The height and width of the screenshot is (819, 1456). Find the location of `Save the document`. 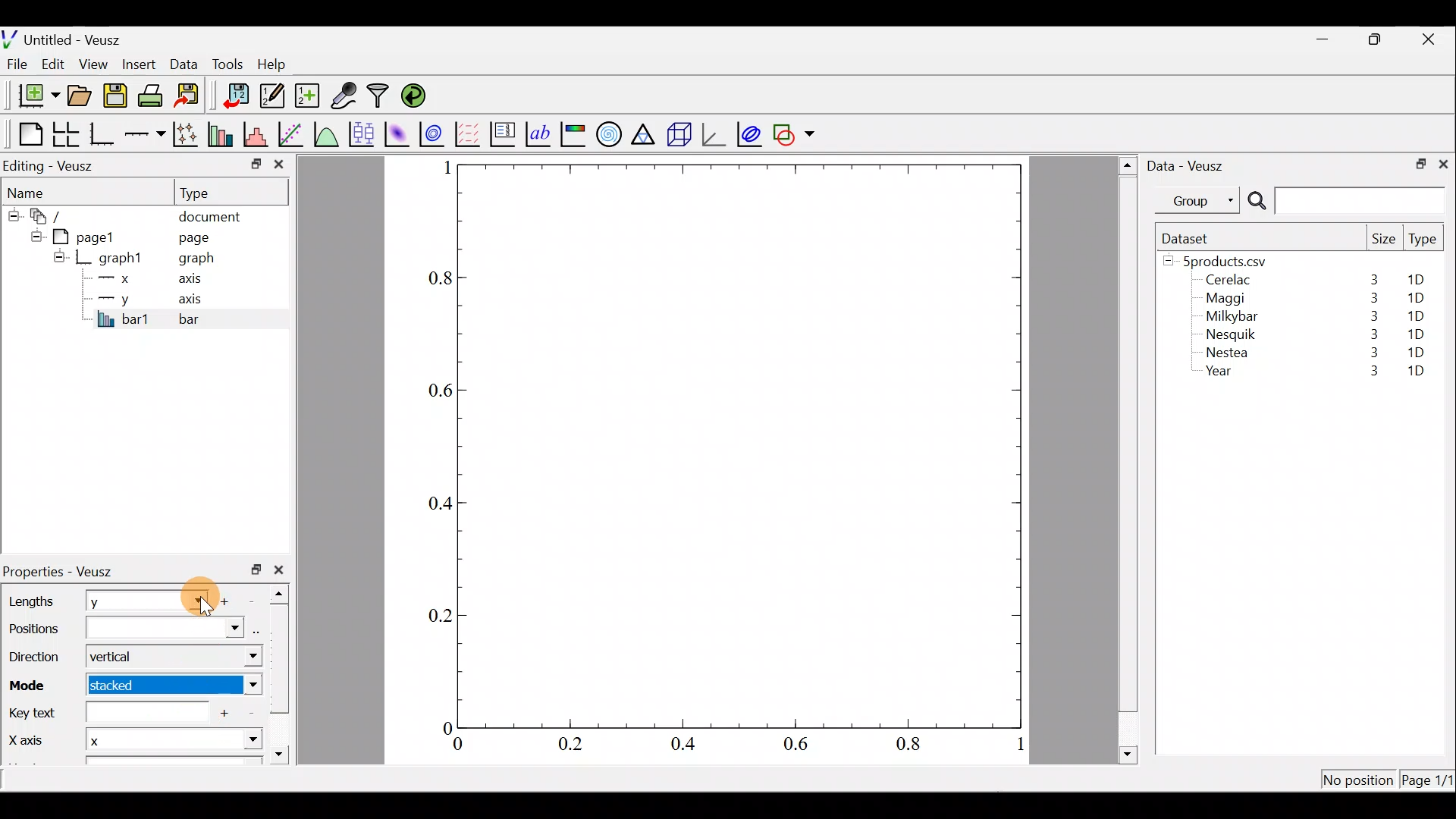

Save the document is located at coordinates (117, 99).